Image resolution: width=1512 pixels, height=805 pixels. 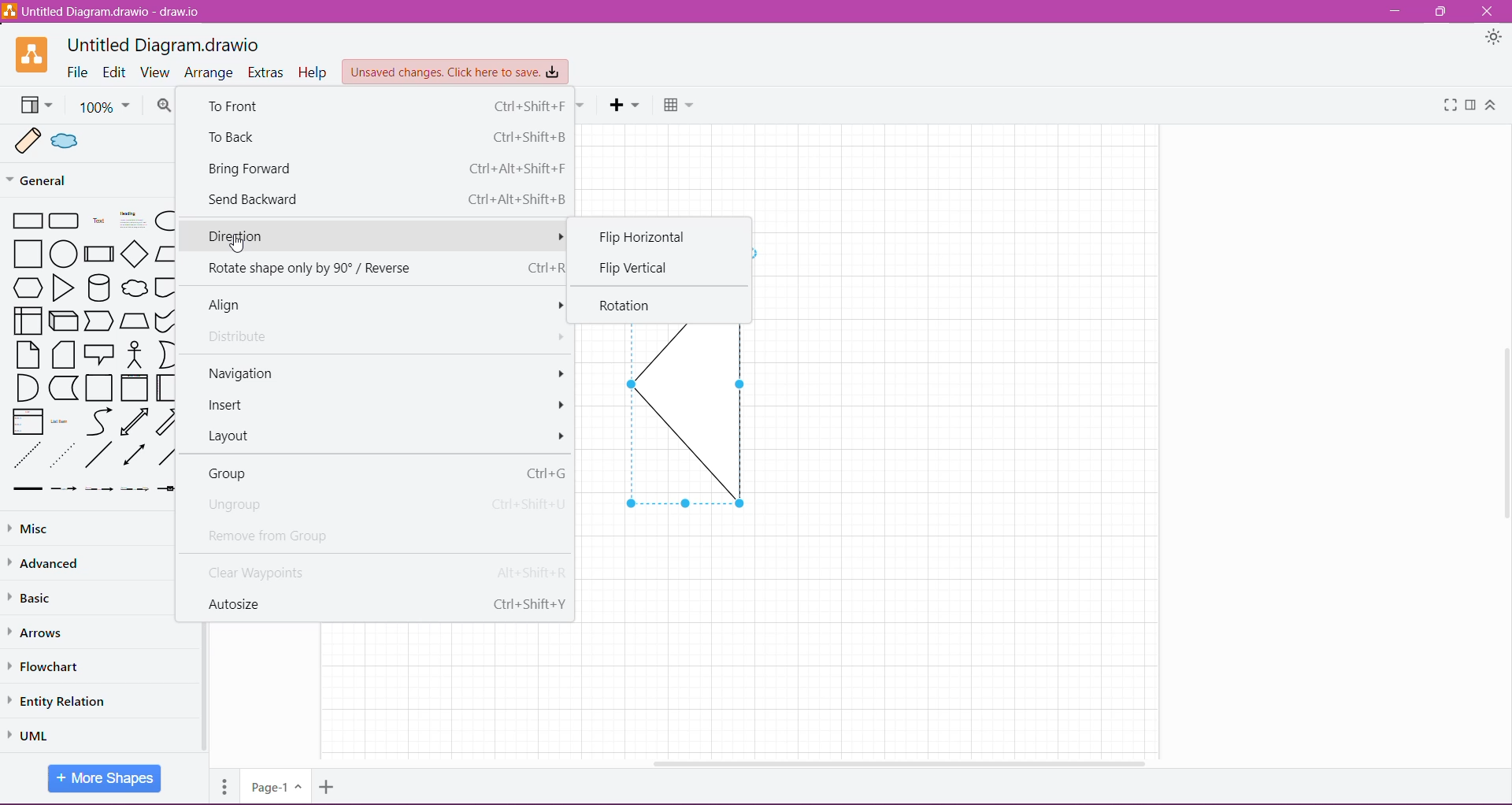 What do you see at coordinates (891, 759) in the screenshot?
I see `Horizontal Scroll Bar` at bounding box center [891, 759].